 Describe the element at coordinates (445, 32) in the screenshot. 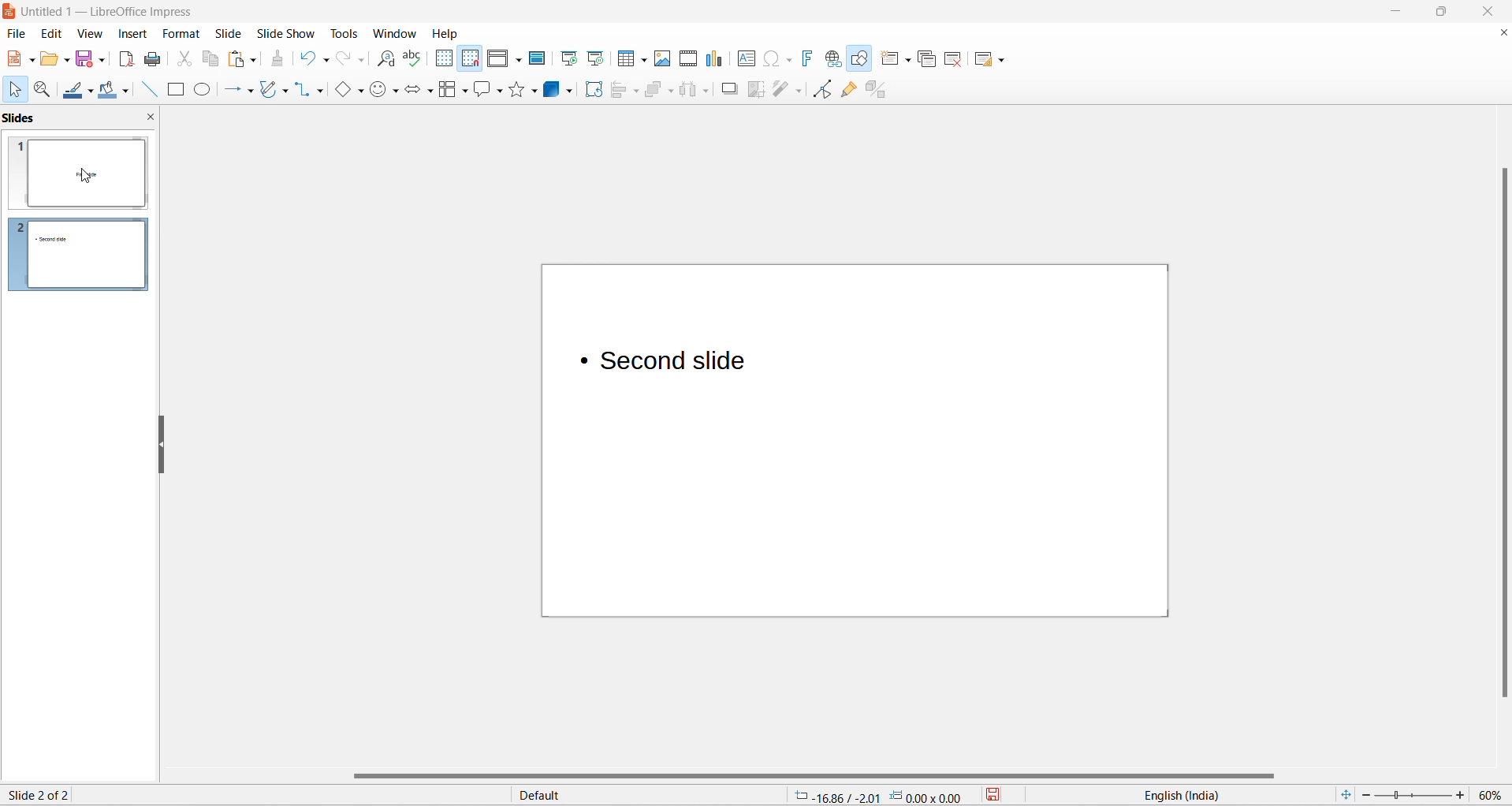

I see `help` at that location.